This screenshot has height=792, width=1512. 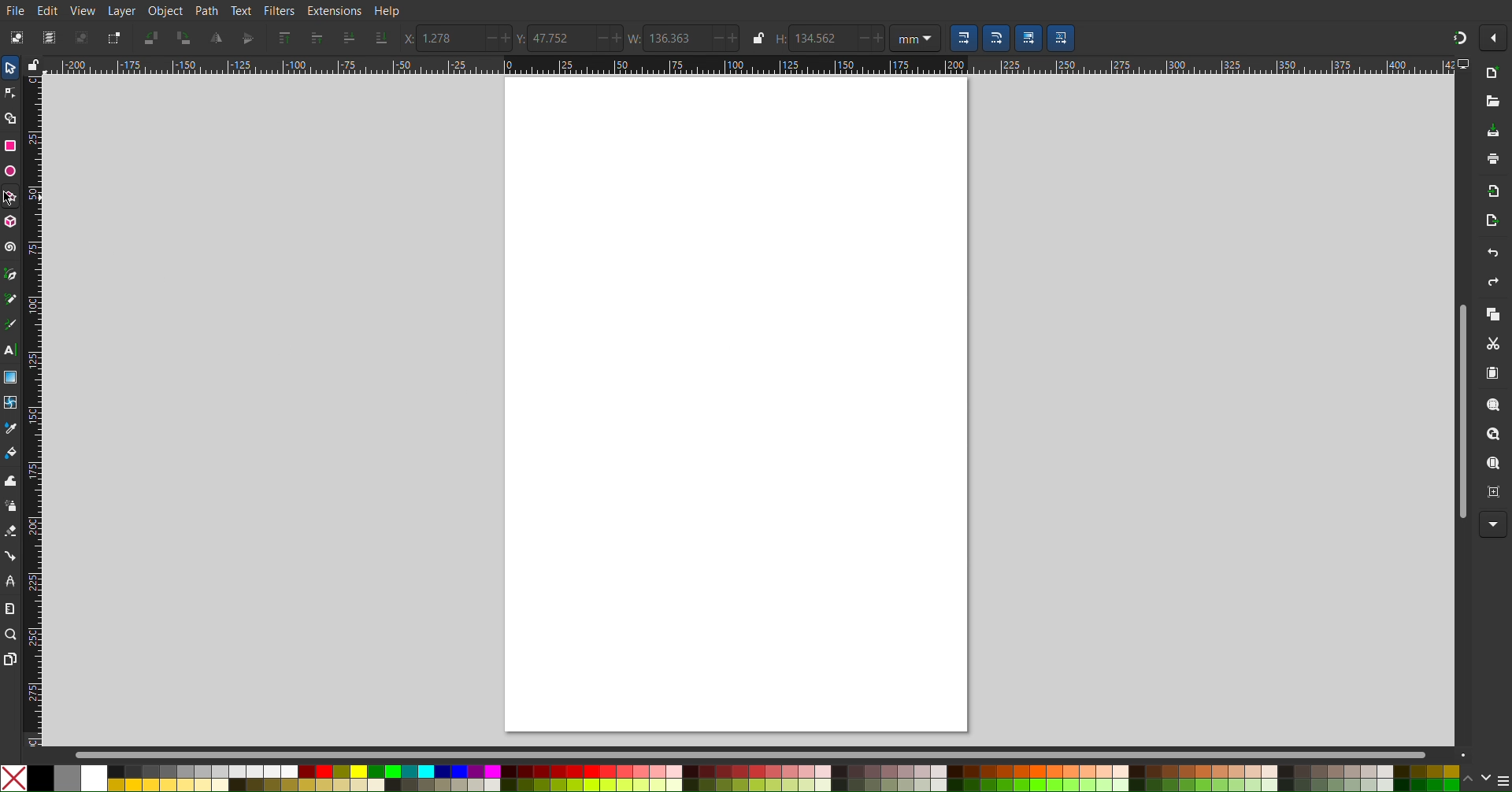 What do you see at coordinates (11, 118) in the screenshot?
I see `Shape Builder Tool` at bounding box center [11, 118].